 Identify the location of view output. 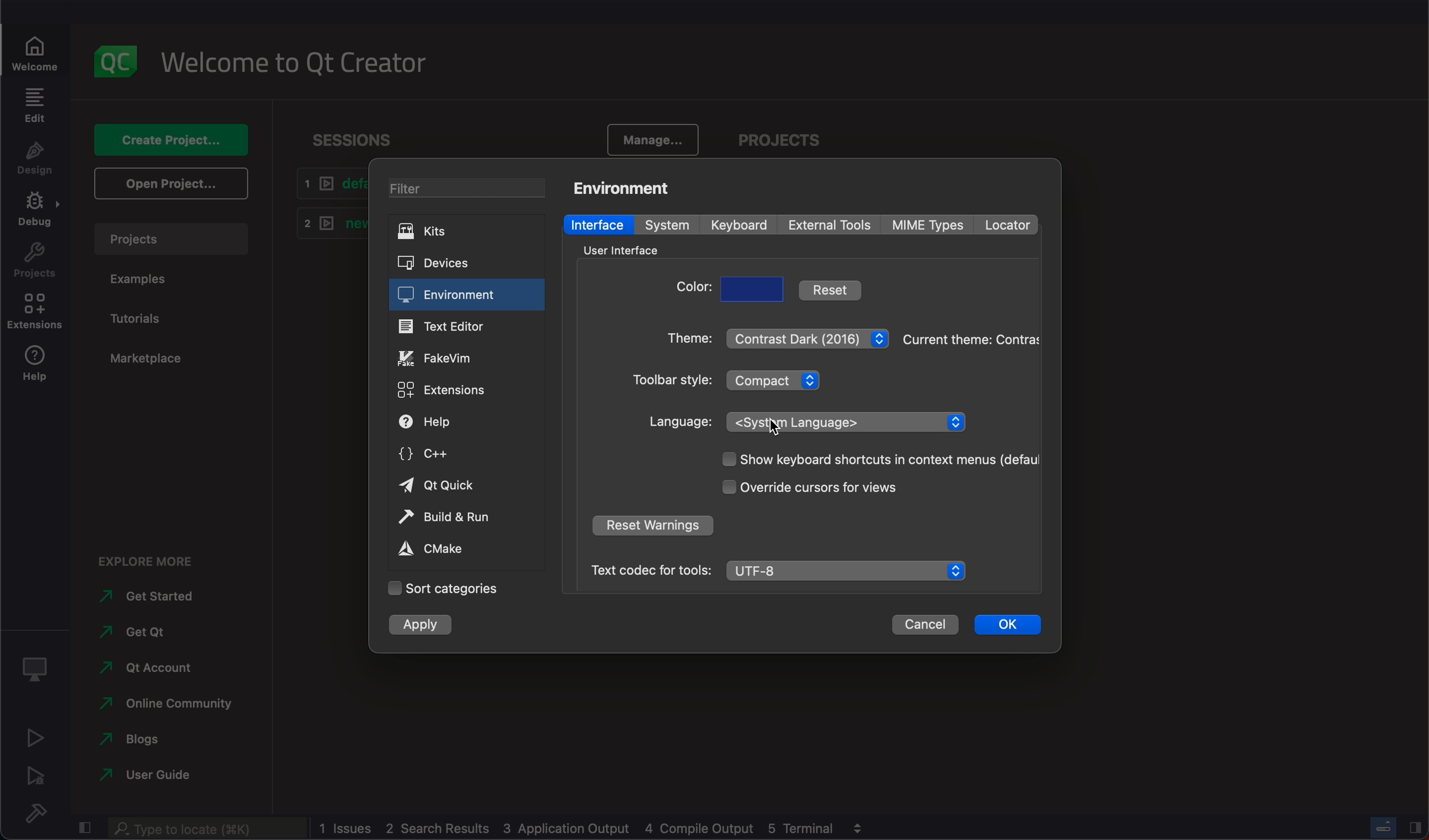
(856, 828).